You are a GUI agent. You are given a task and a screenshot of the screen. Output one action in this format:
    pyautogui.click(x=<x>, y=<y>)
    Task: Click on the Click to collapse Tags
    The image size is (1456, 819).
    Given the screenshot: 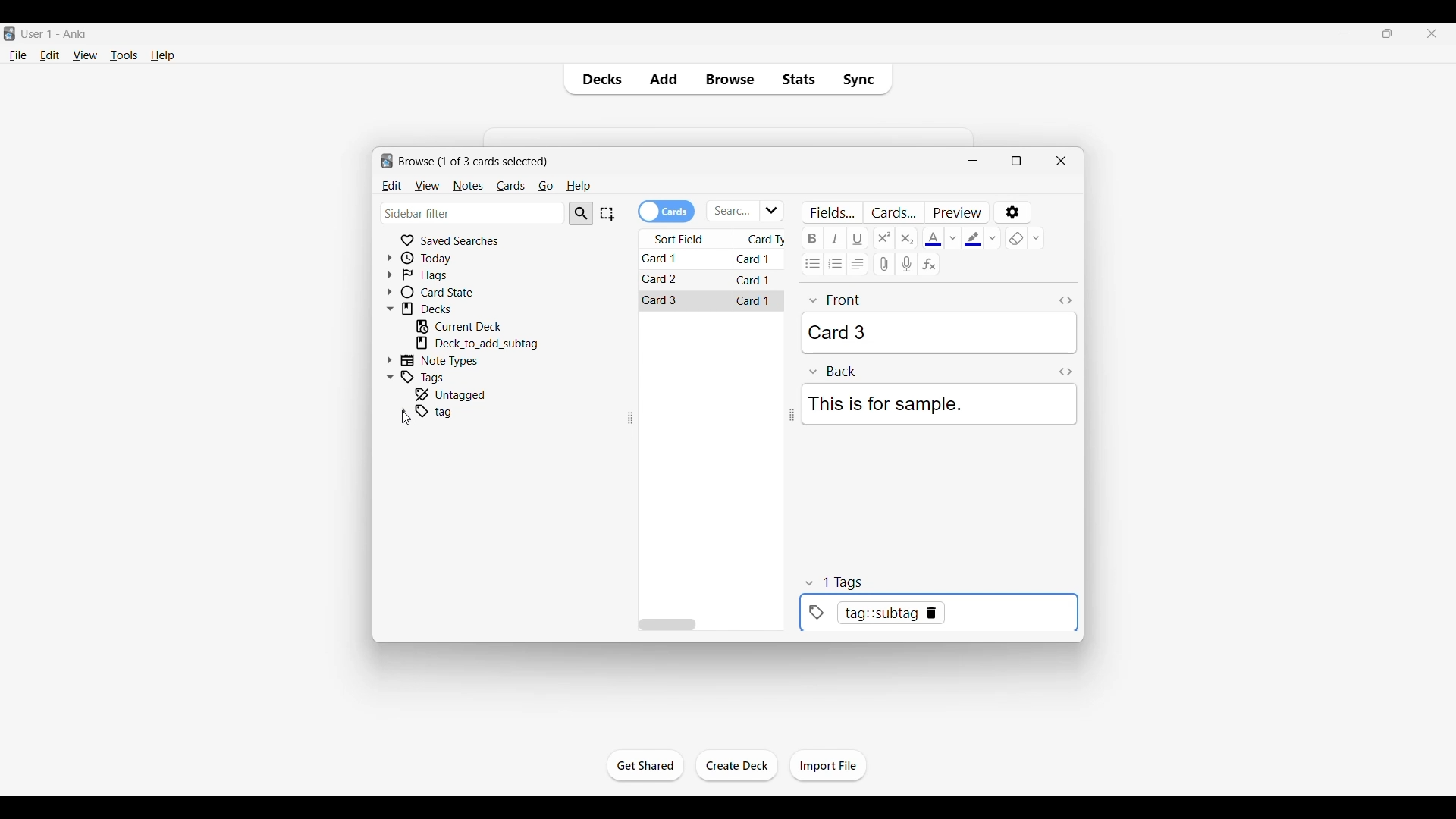 What is the action you would take?
    pyautogui.click(x=390, y=377)
    